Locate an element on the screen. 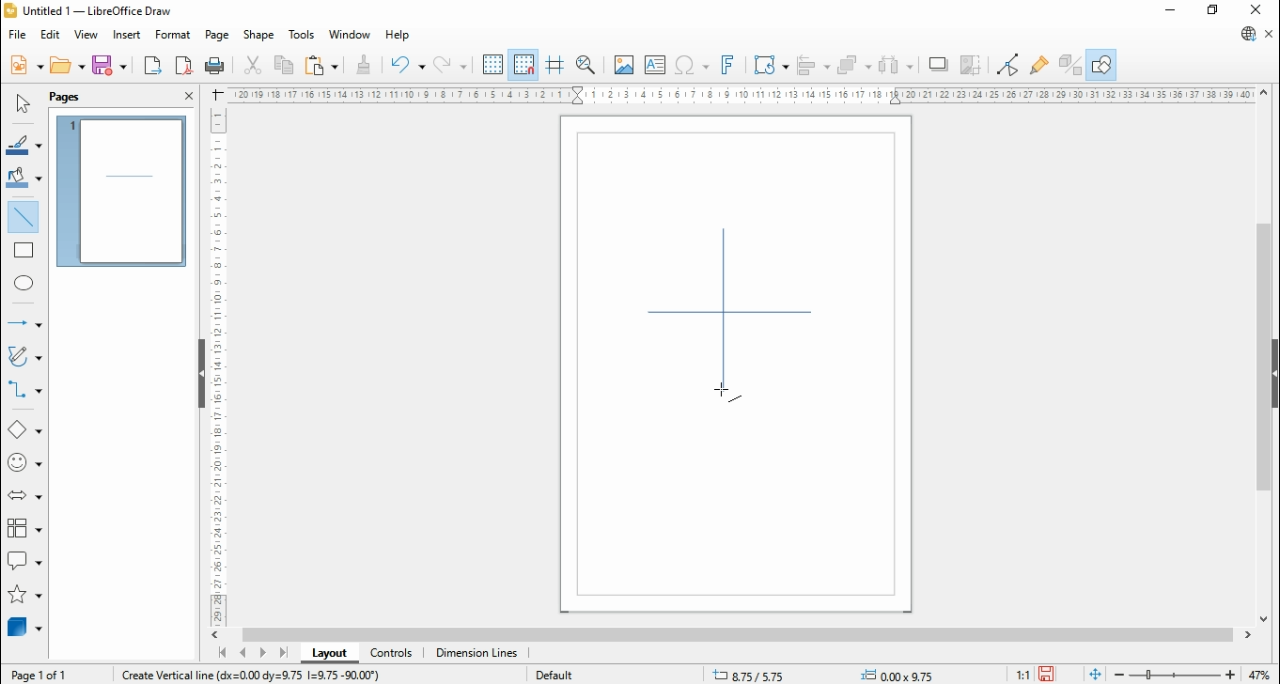 The width and height of the screenshot is (1280, 684). shape is located at coordinates (259, 35).